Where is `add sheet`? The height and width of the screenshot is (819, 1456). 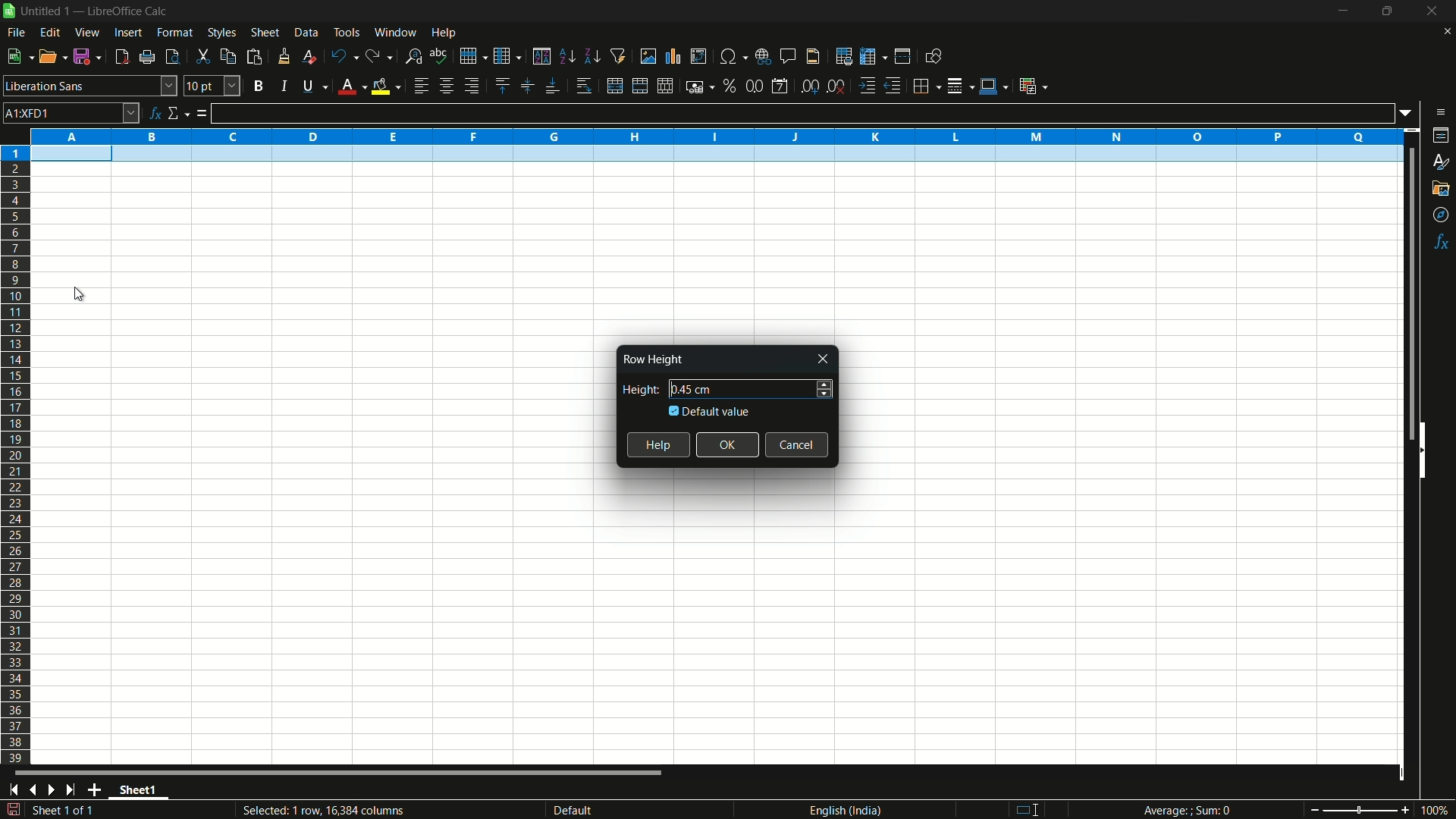 add sheet is located at coordinates (98, 789).